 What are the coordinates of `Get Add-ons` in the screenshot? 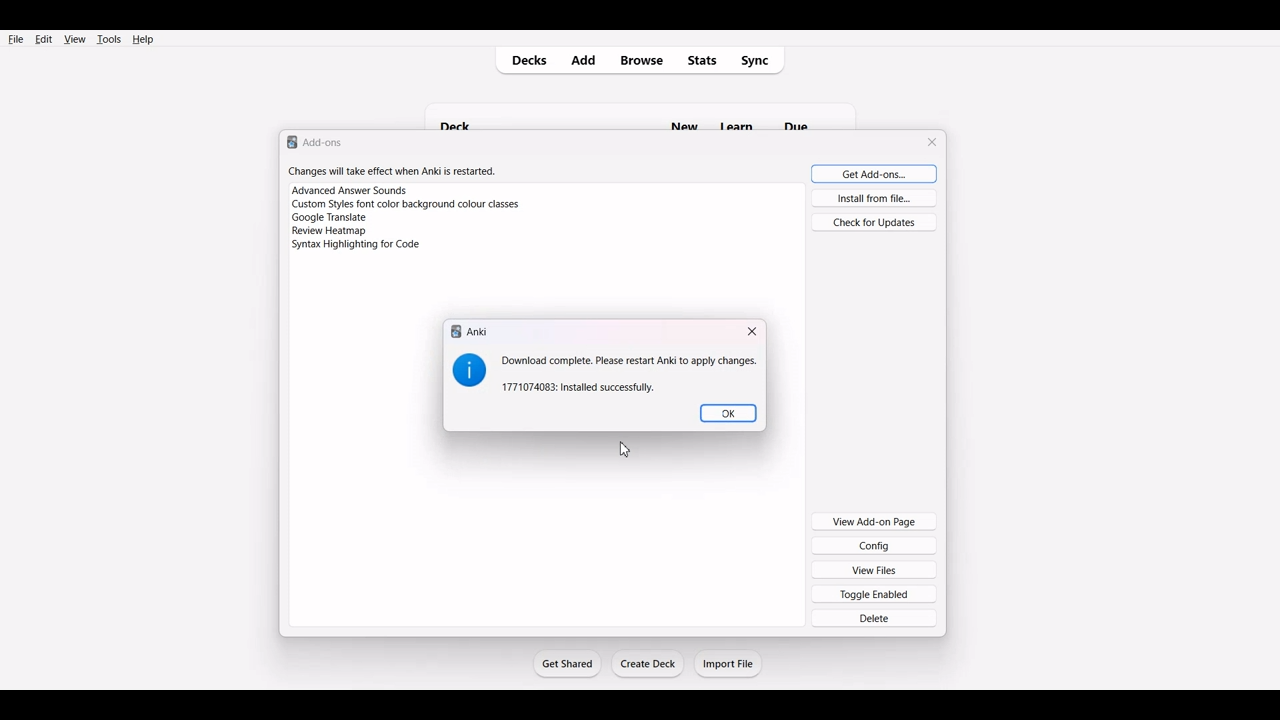 It's located at (870, 173).